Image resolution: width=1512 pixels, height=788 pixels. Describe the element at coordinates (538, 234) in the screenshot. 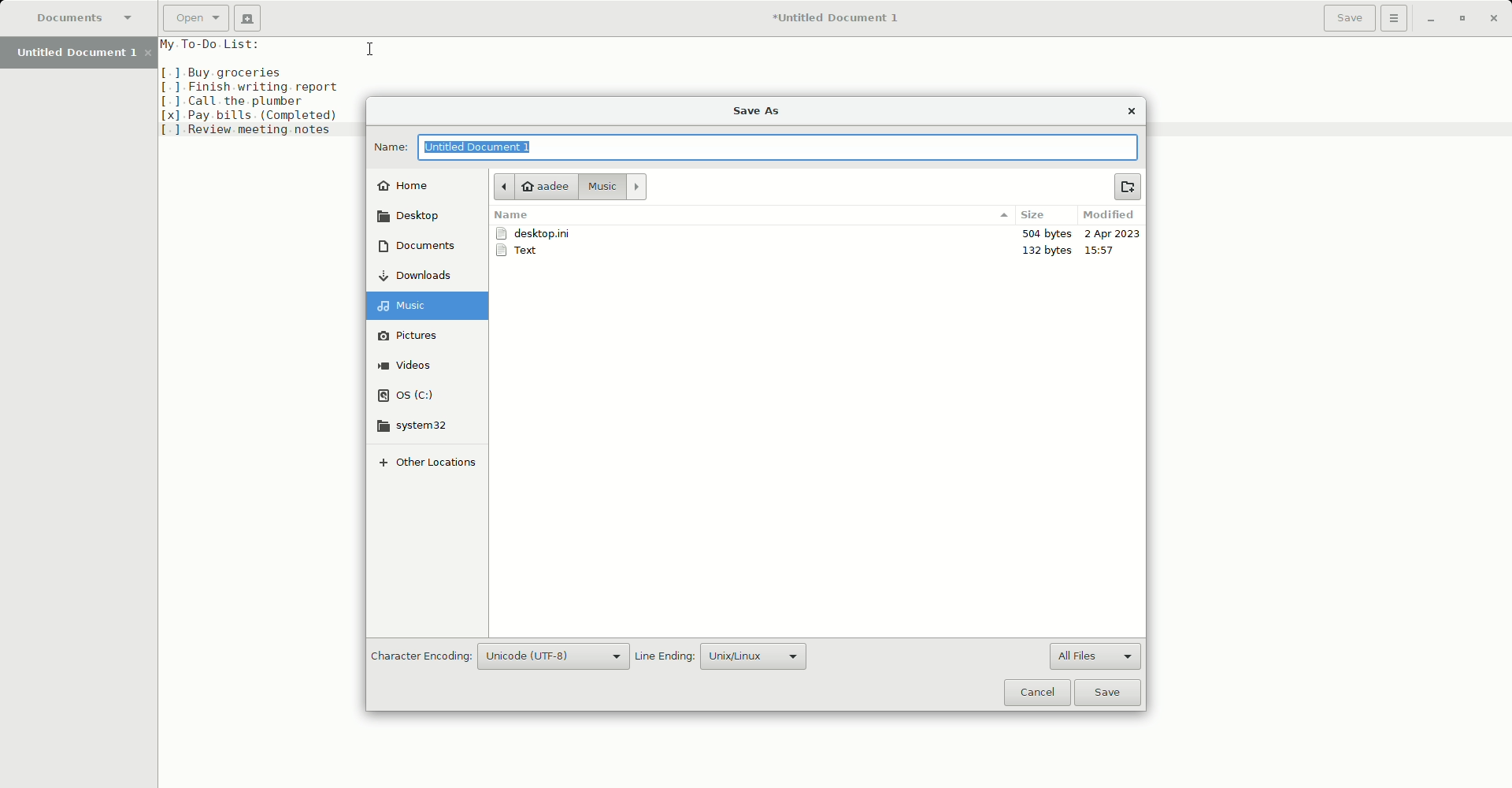

I see `desktop.ini` at that location.